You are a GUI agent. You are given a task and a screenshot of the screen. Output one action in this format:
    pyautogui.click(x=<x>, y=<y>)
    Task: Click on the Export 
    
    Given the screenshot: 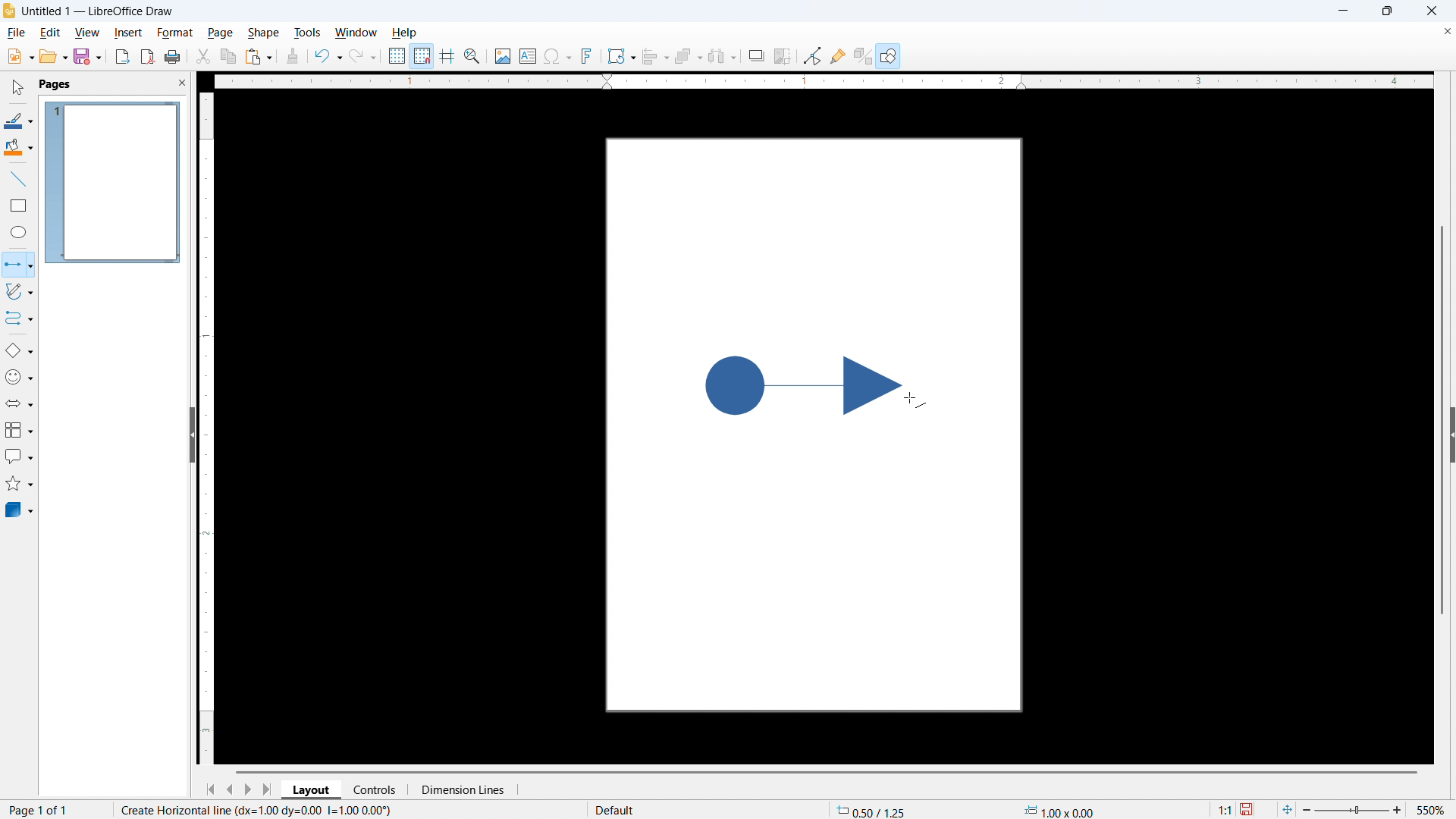 What is the action you would take?
    pyautogui.click(x=123, y=57)
    